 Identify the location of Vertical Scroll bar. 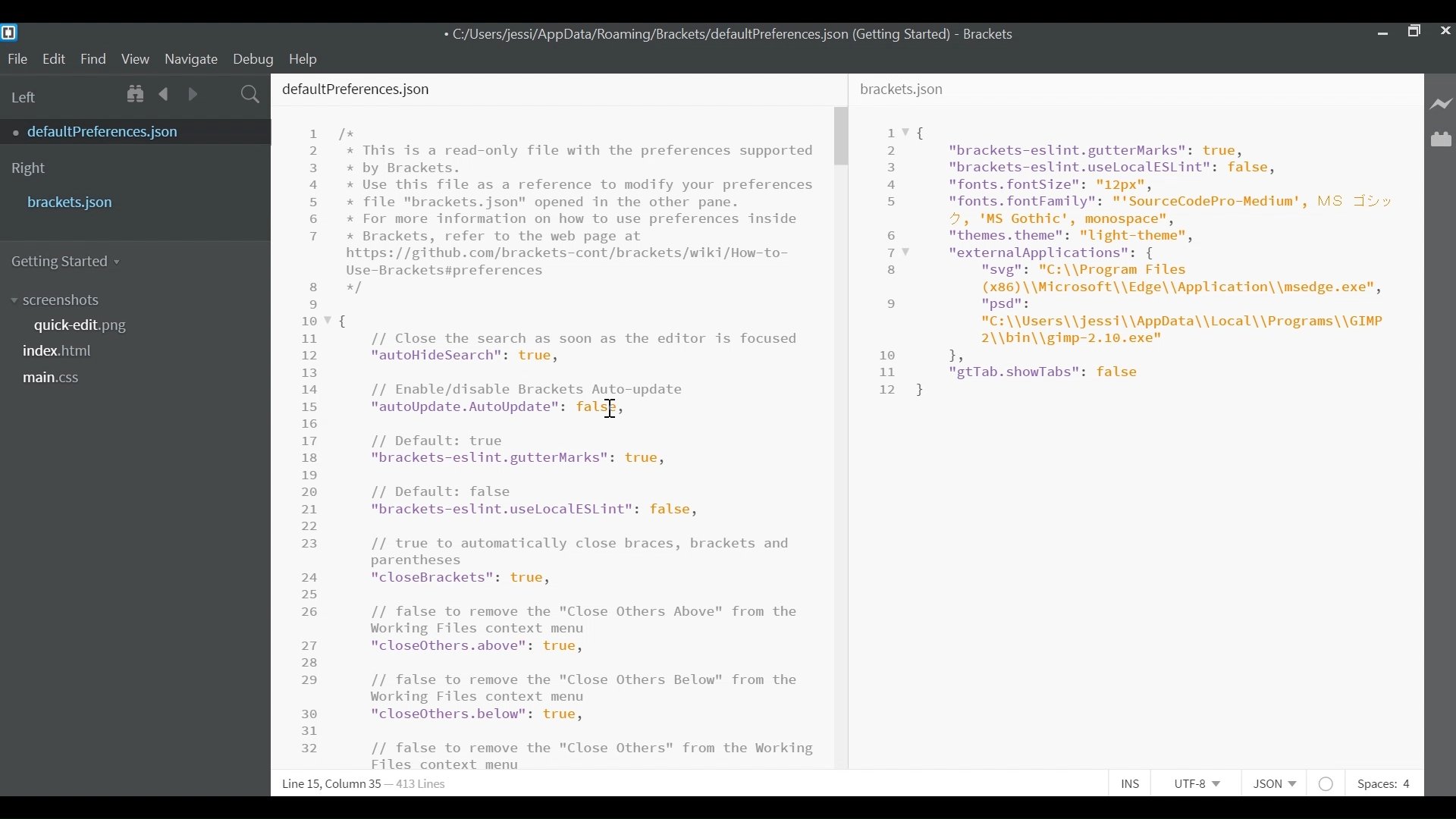
(840, 137).